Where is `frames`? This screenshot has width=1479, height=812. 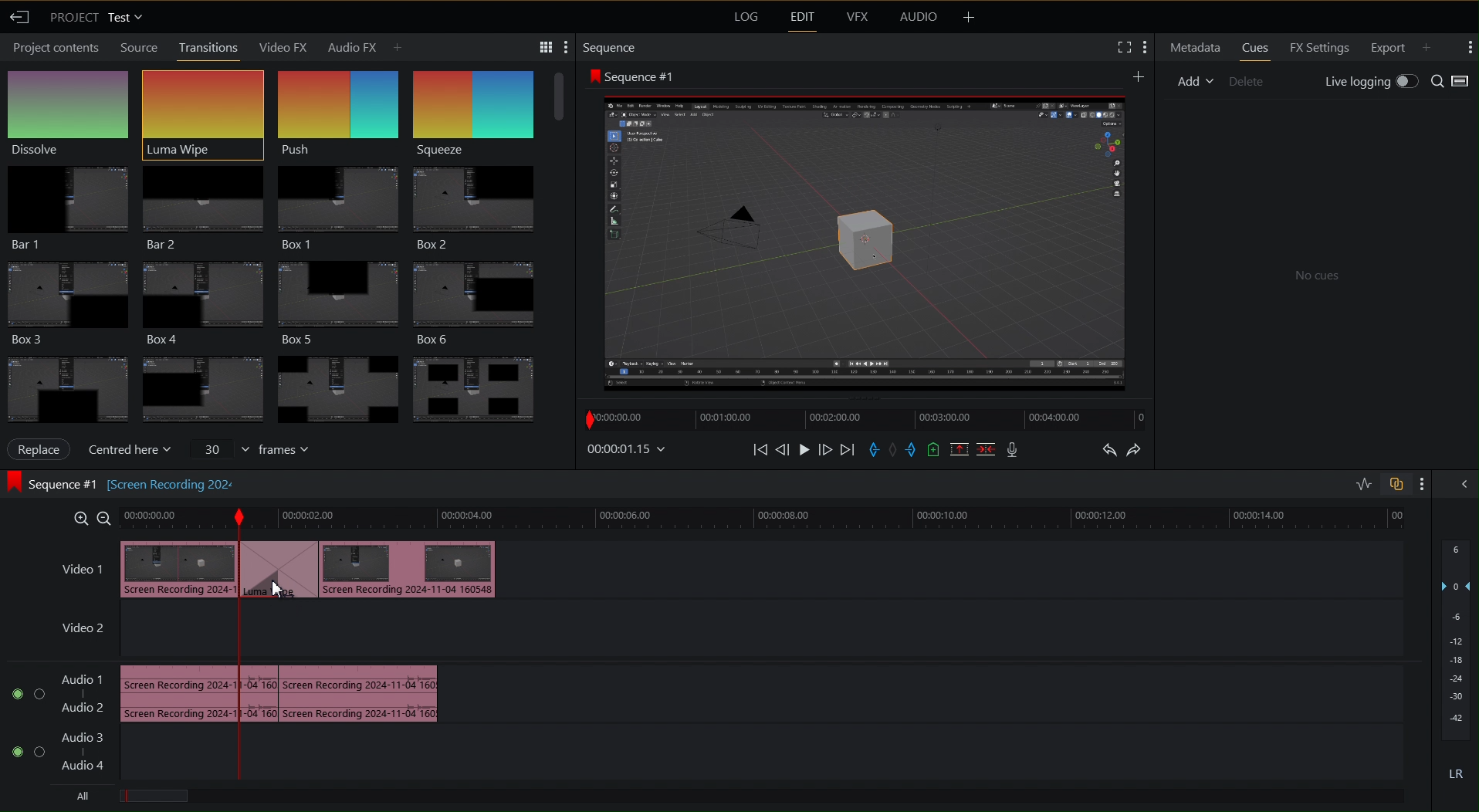
frames is located at coordinates (250, 450).